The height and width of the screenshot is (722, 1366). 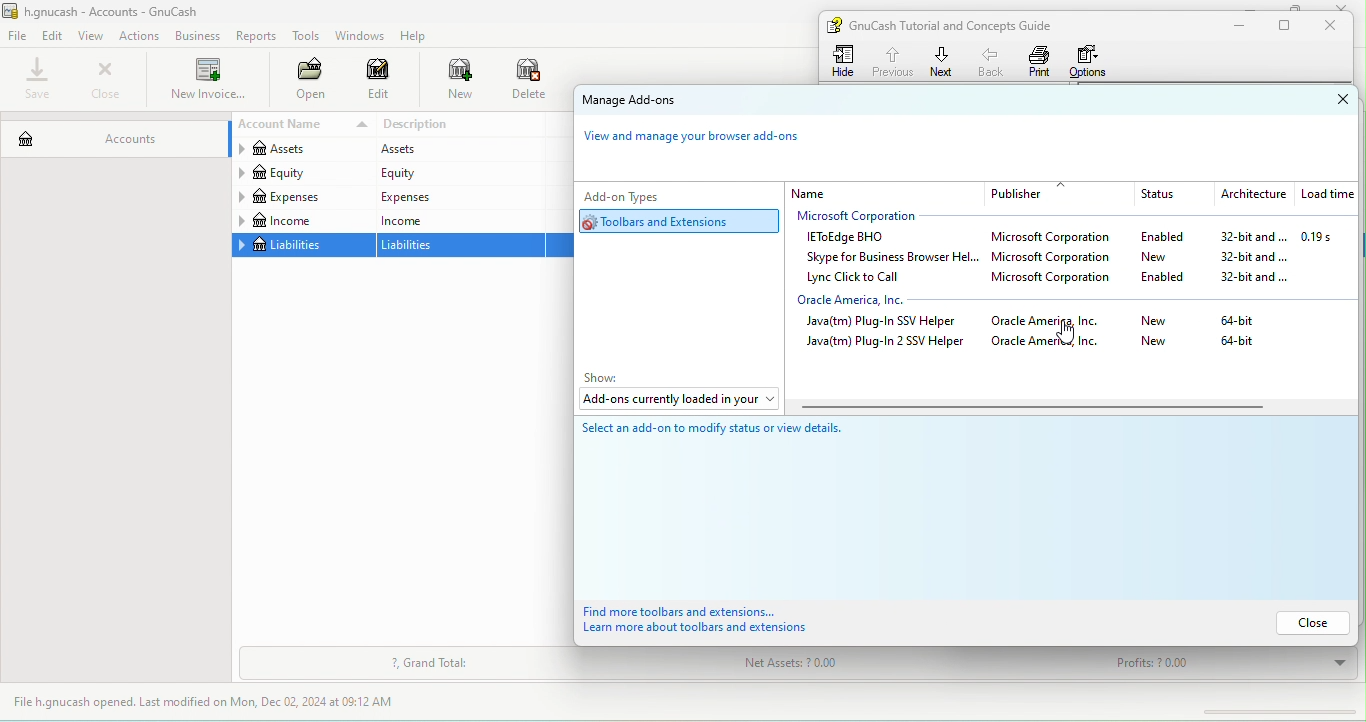 I want to click on grand total, so click(x=430, y=664).